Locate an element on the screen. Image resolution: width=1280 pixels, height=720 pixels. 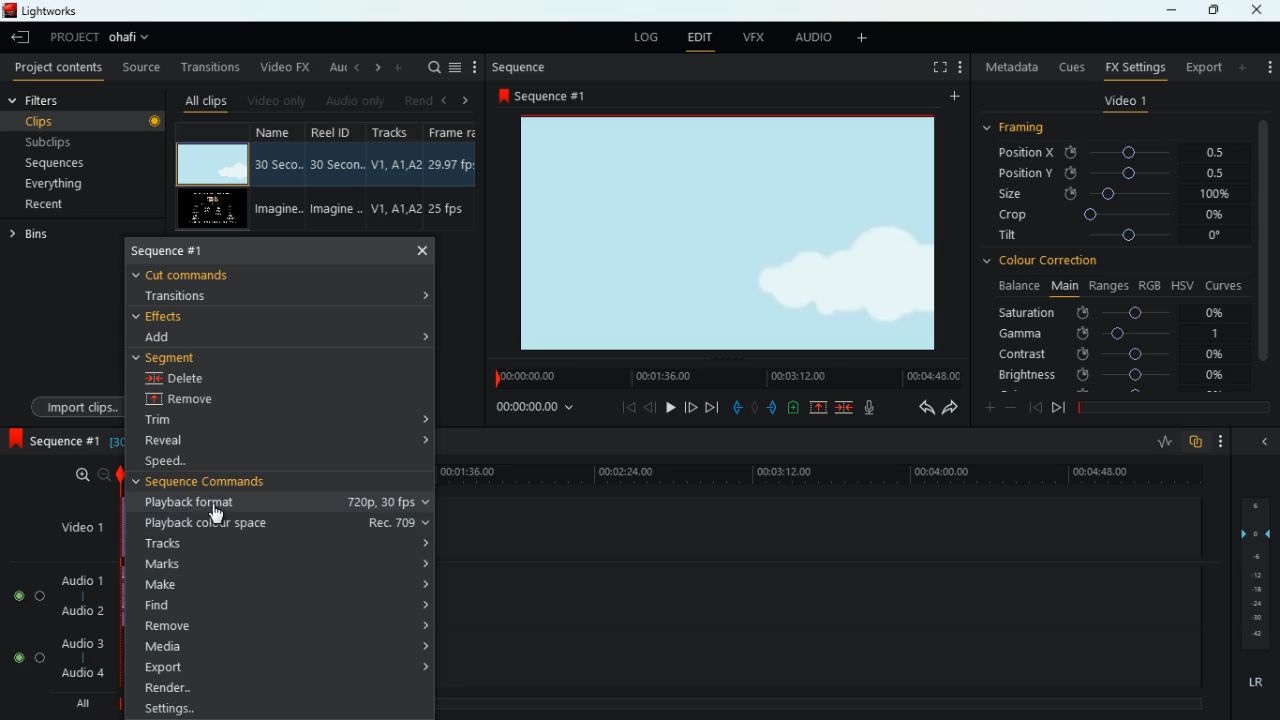
playback colour space is located at coordinates (287, 523).